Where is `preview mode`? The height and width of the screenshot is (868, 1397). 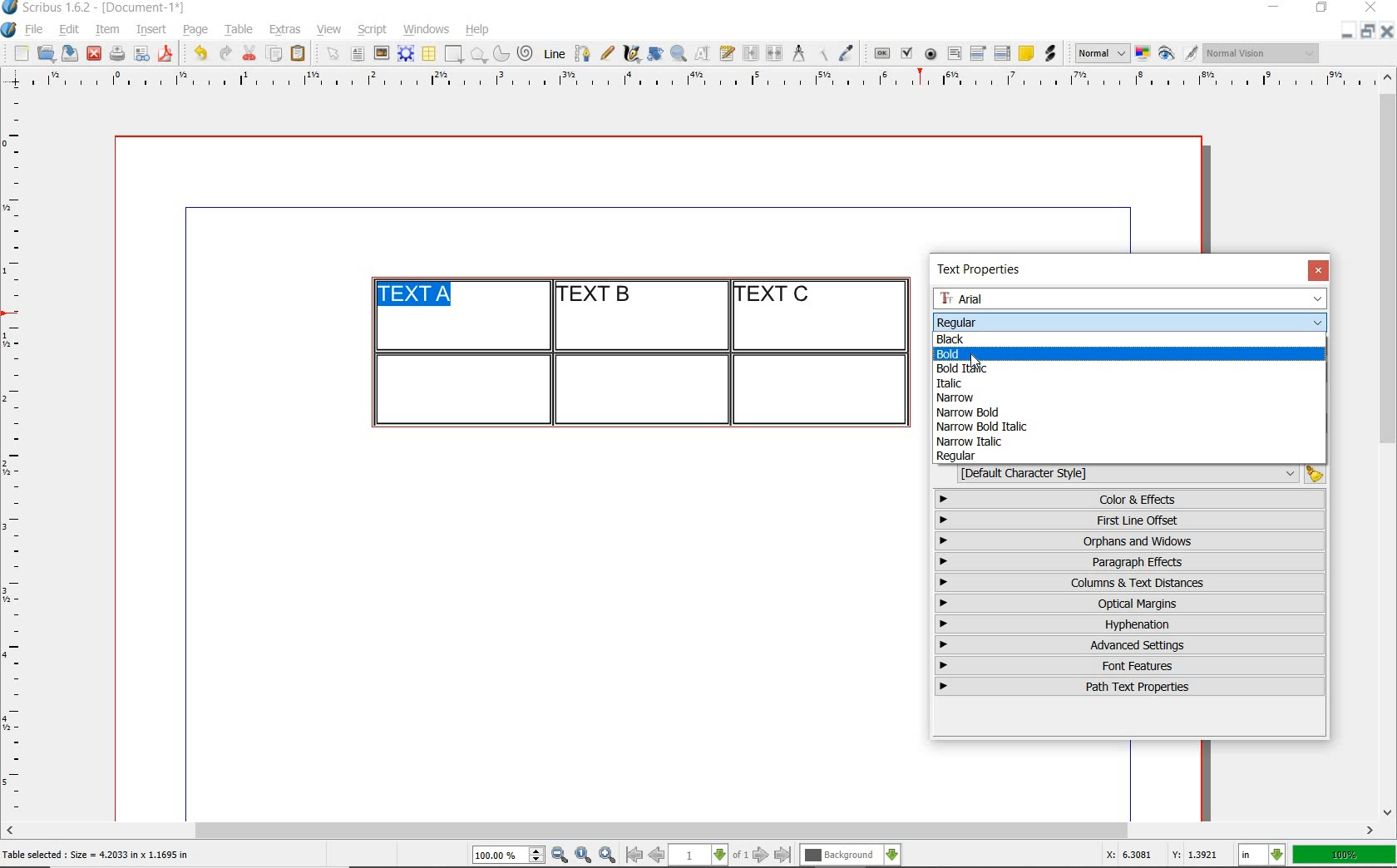
preview mode is located at coordinates (1178, 54).